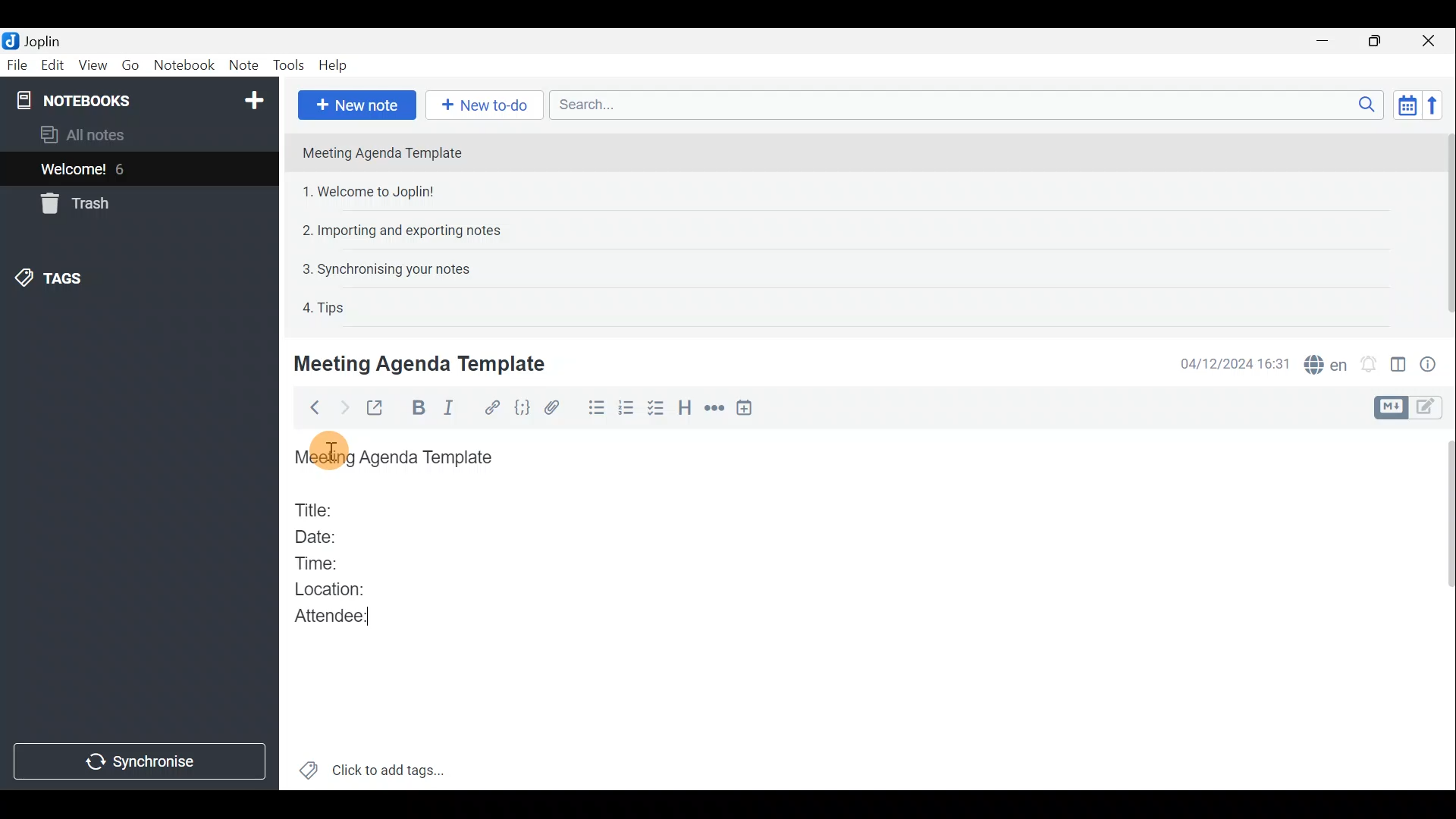  What do you see at coordinates (317, 560) in the screenshot?
I see `Time:` at bounding box center [317, 560].